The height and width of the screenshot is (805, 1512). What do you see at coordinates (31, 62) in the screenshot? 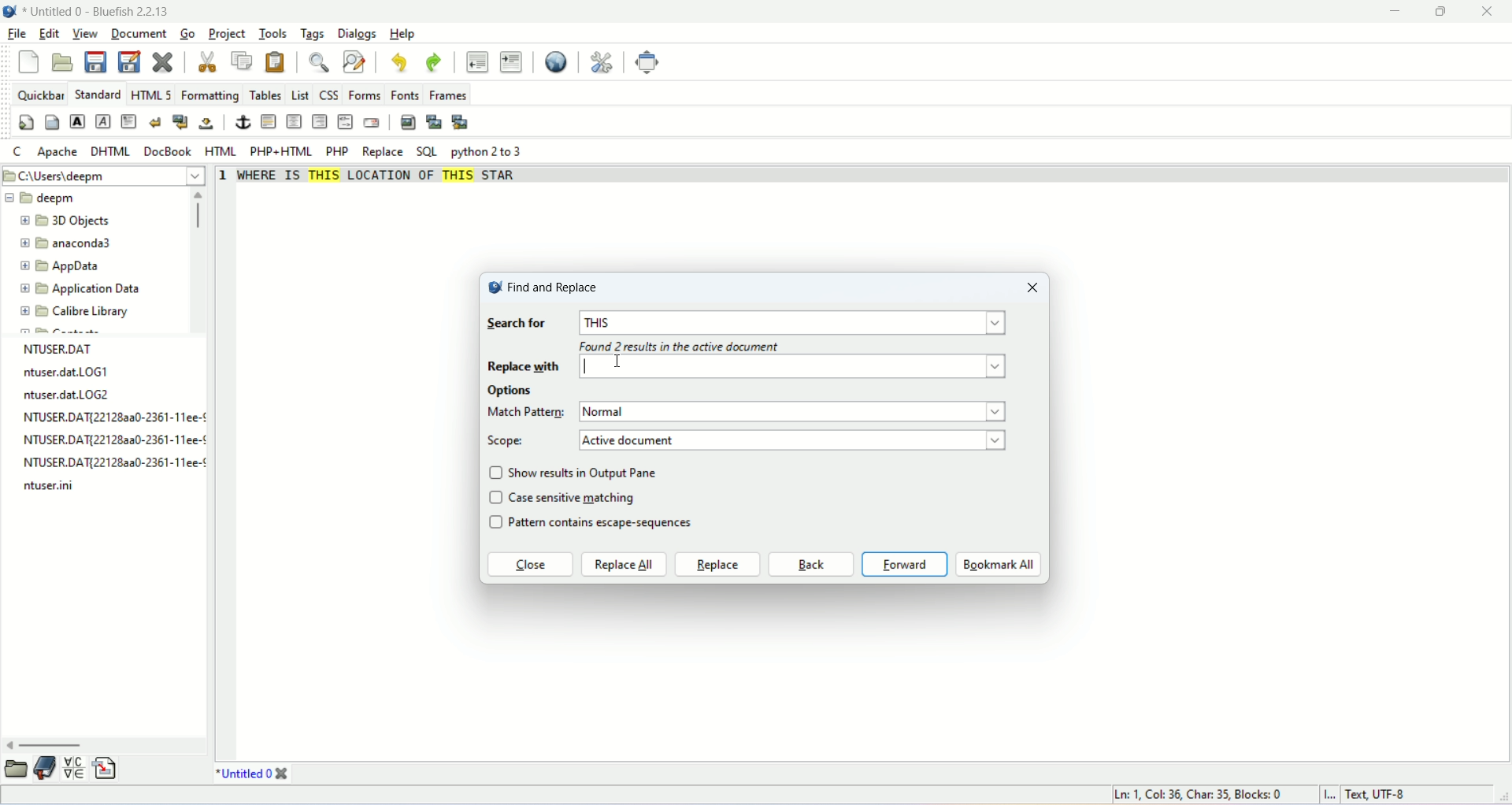
I see `new file` at bounding box center [31, 62].